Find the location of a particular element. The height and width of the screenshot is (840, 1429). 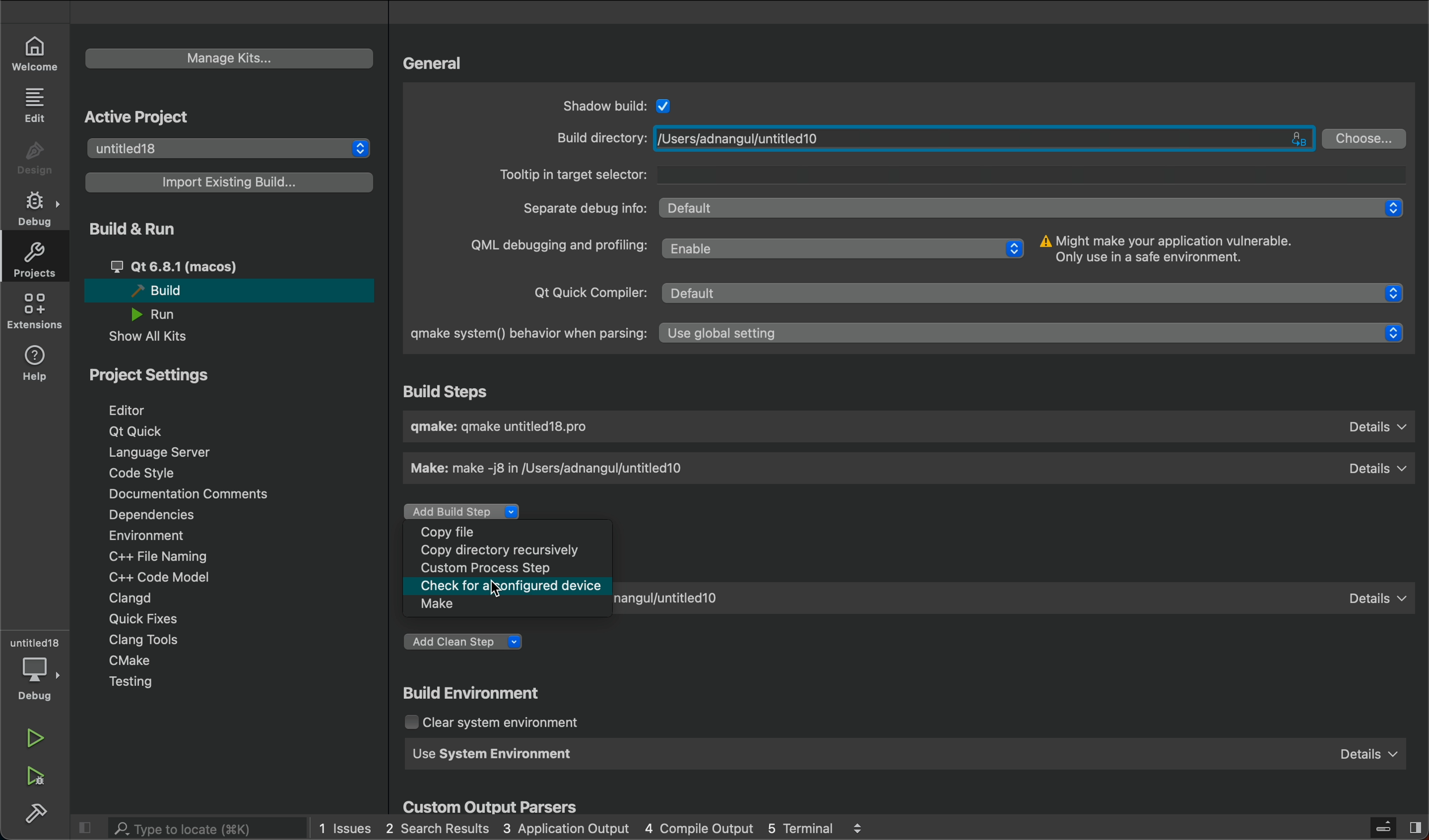

C++ file naming is located at coordinates (185, 558).